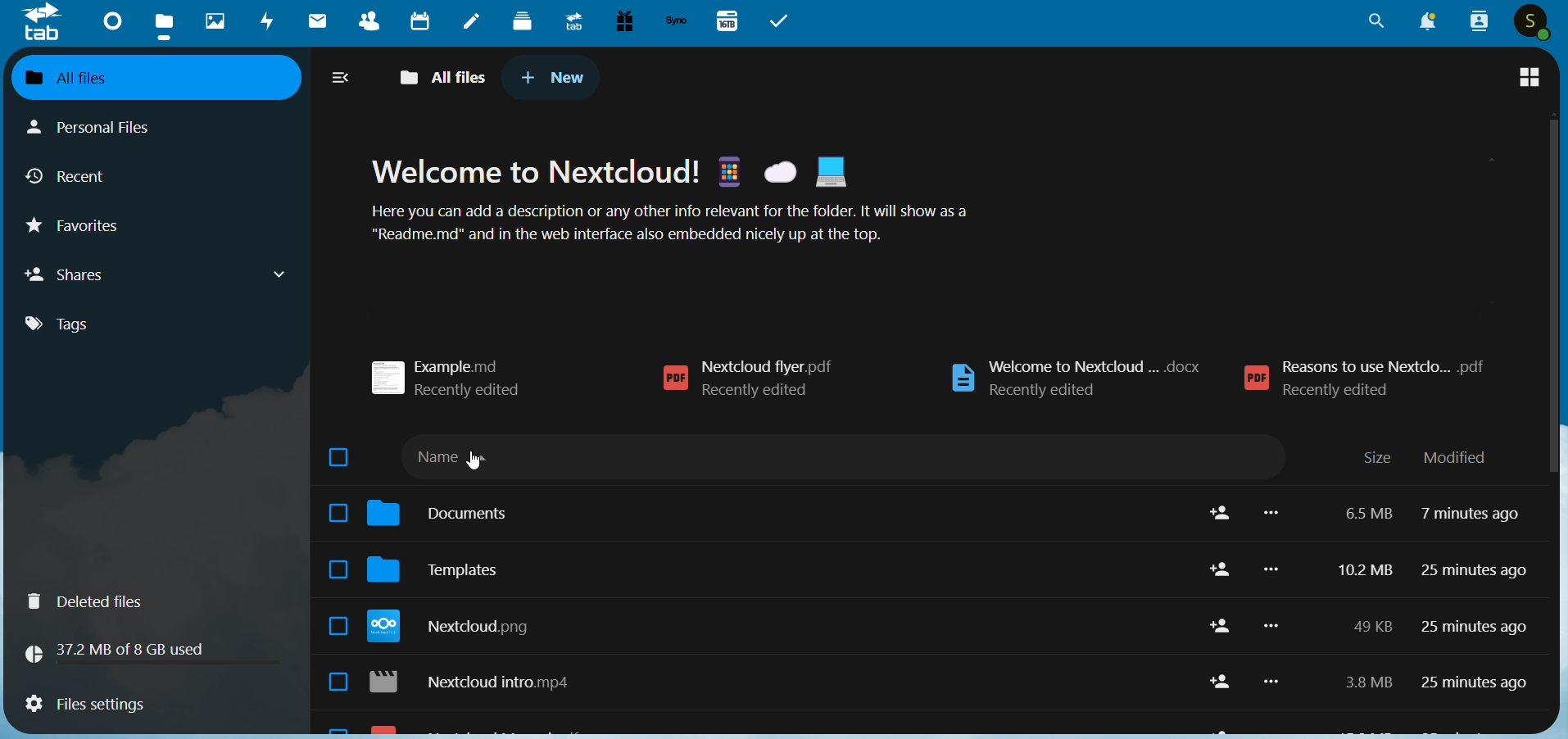 The height and width of the screenshot is (739, 1568). Describe the element at coordinates (148, 649) in the screenshot. I see `37.2 B of 8 GB used` at that location.